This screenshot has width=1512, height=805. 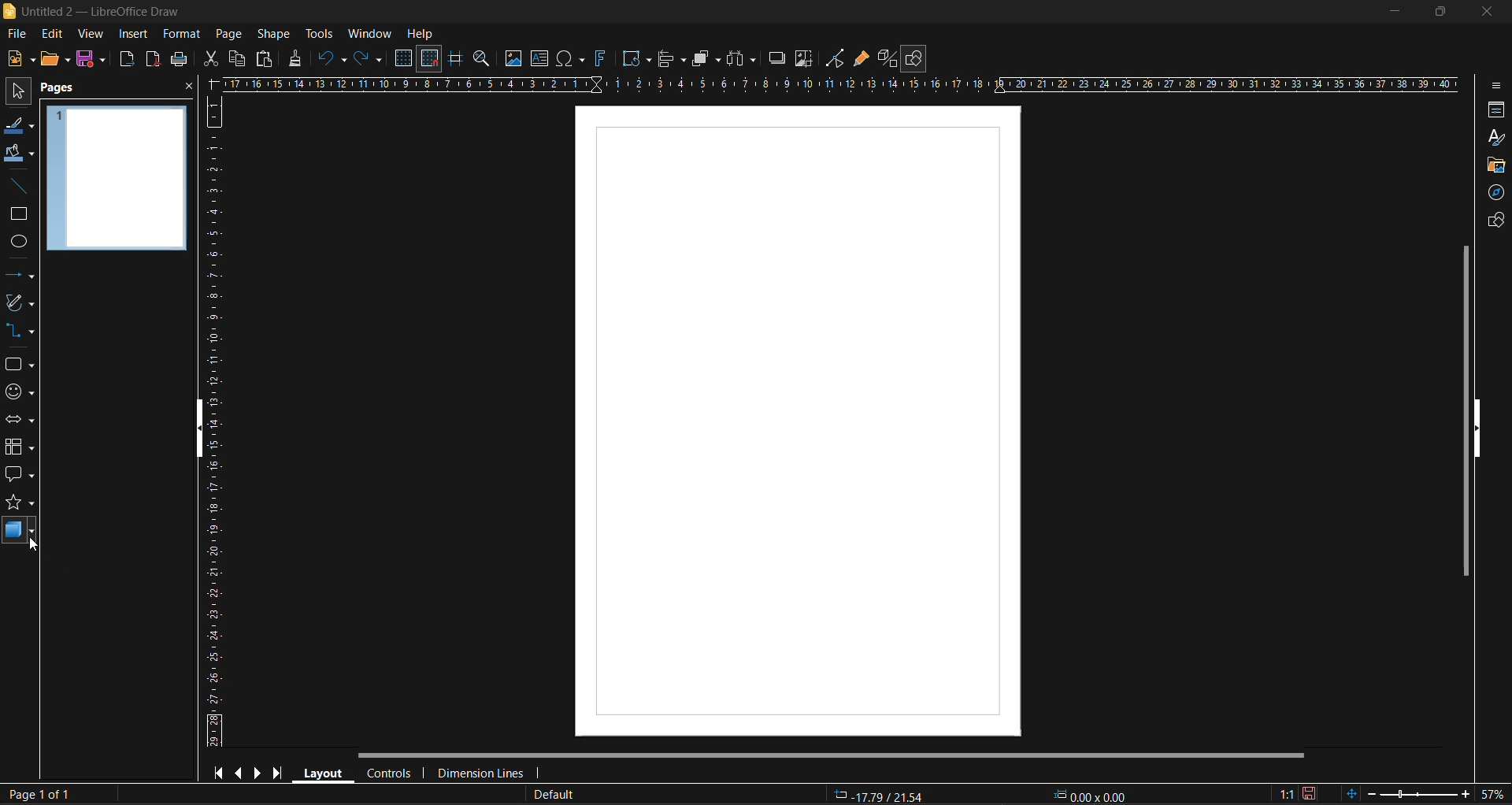 What do you see at coordinates (1466, 795) in the screenshot?
I see `zoom in` at bounding box center [1466, 795].